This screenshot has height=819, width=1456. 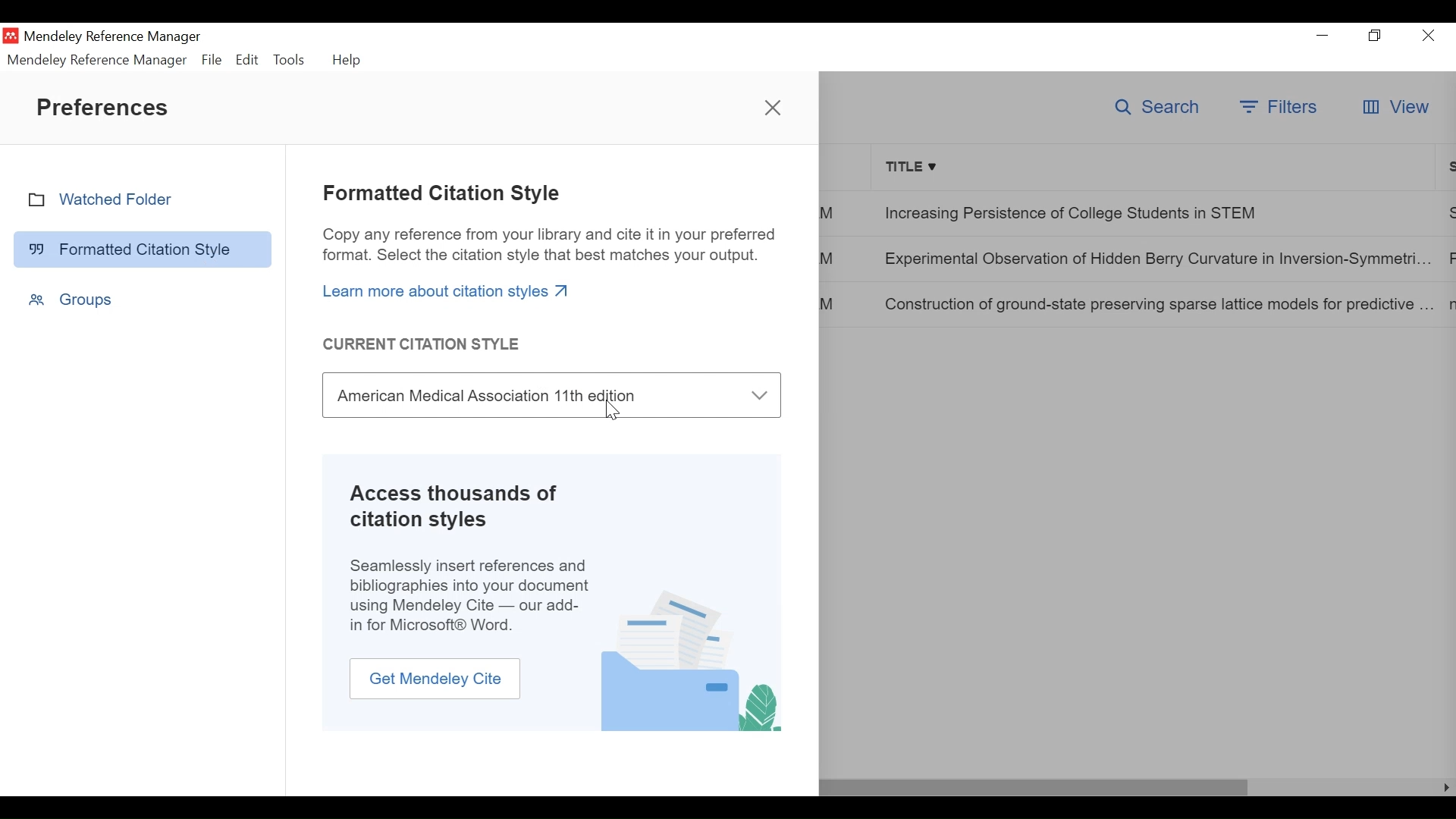 I want to click on Preferences, so click(x=104, y=107).